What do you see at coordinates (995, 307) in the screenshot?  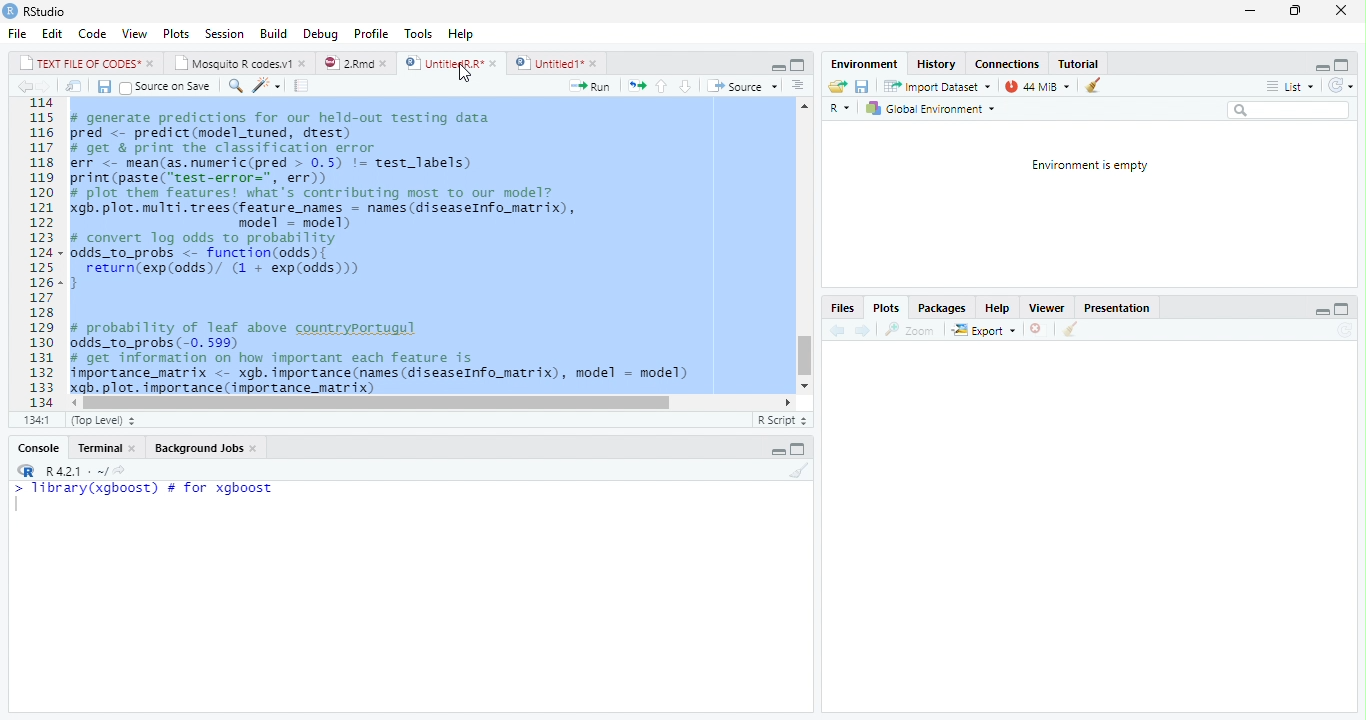 I see `Help` at bounding box center [995, 307].